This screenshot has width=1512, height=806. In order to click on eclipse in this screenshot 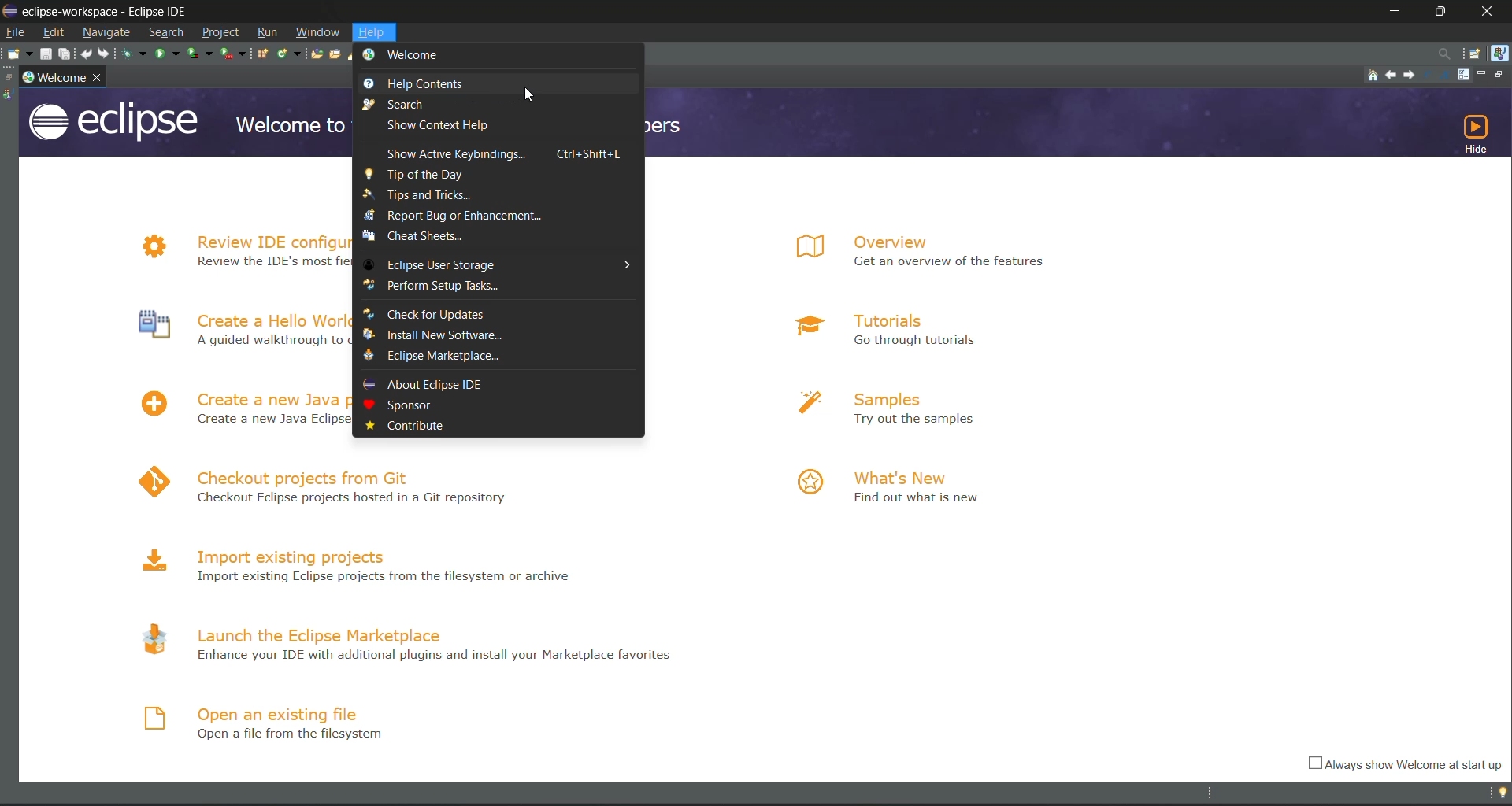, I will do `click(111, 122)`.